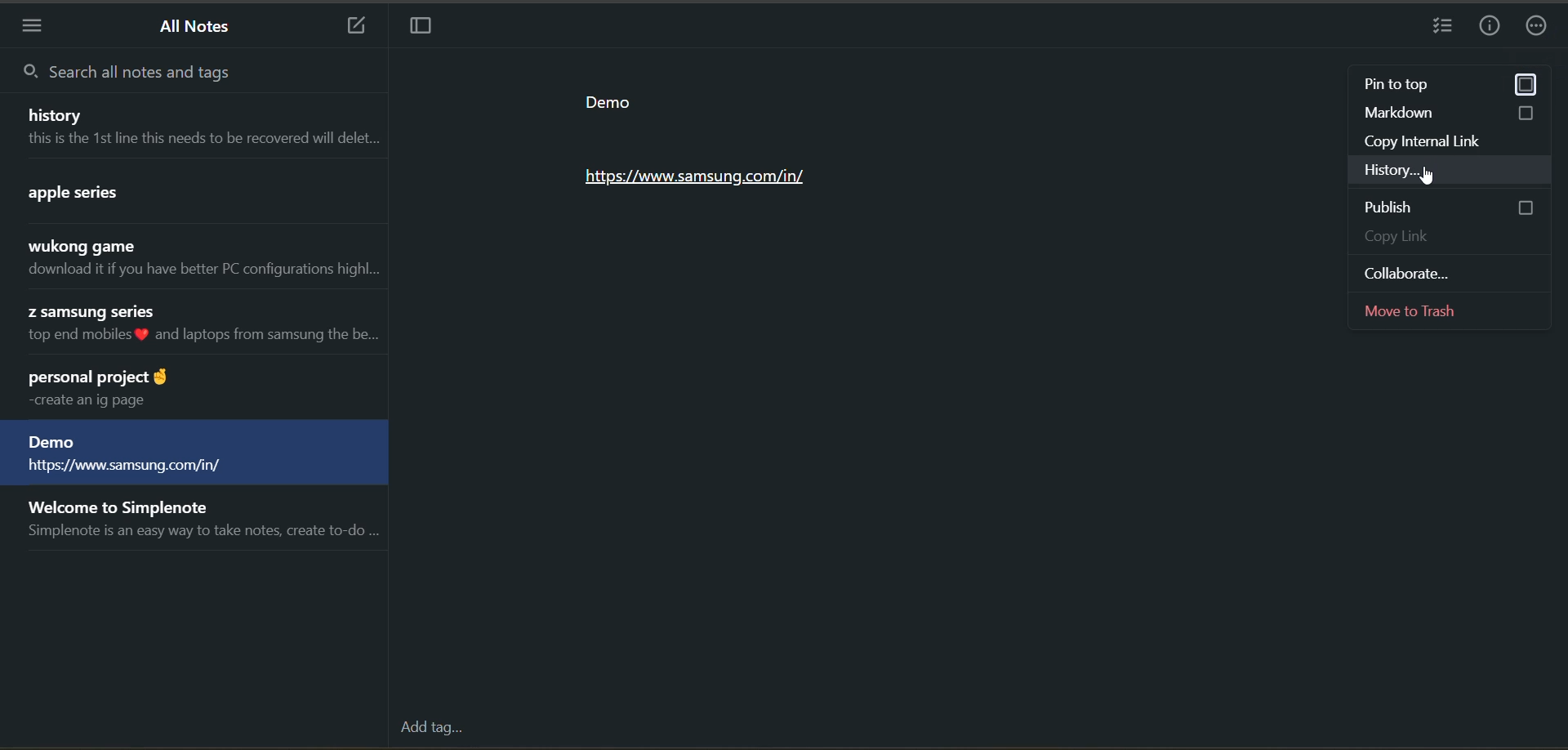 This screenshot has height=750, width=1568. Describe the element at coordinates (430, 729) in the screenshot. I see `add tag` at that location.